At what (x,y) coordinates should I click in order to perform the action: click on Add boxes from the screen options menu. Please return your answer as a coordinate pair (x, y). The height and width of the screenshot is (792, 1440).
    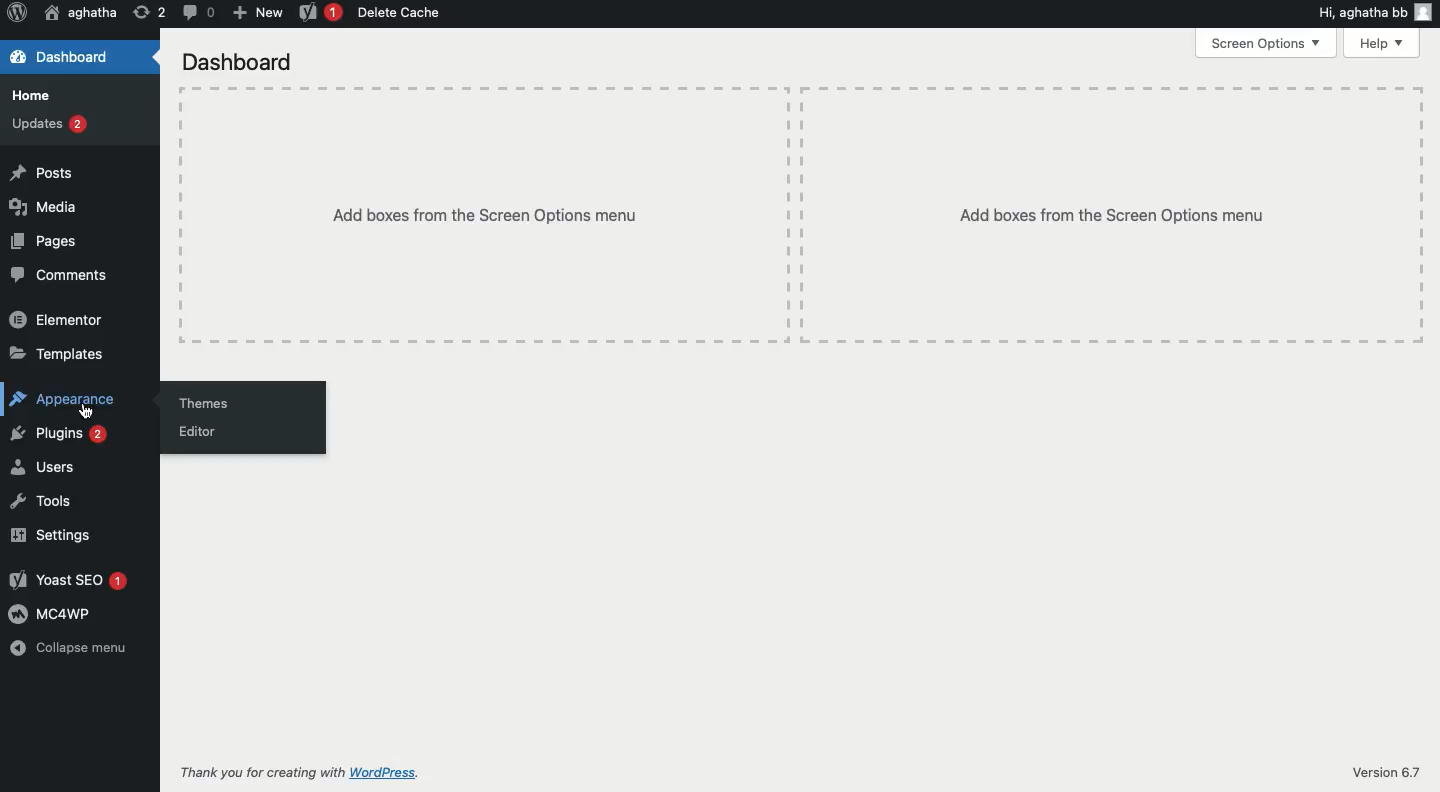
    Looking at the image, I should click on (1113, 216).